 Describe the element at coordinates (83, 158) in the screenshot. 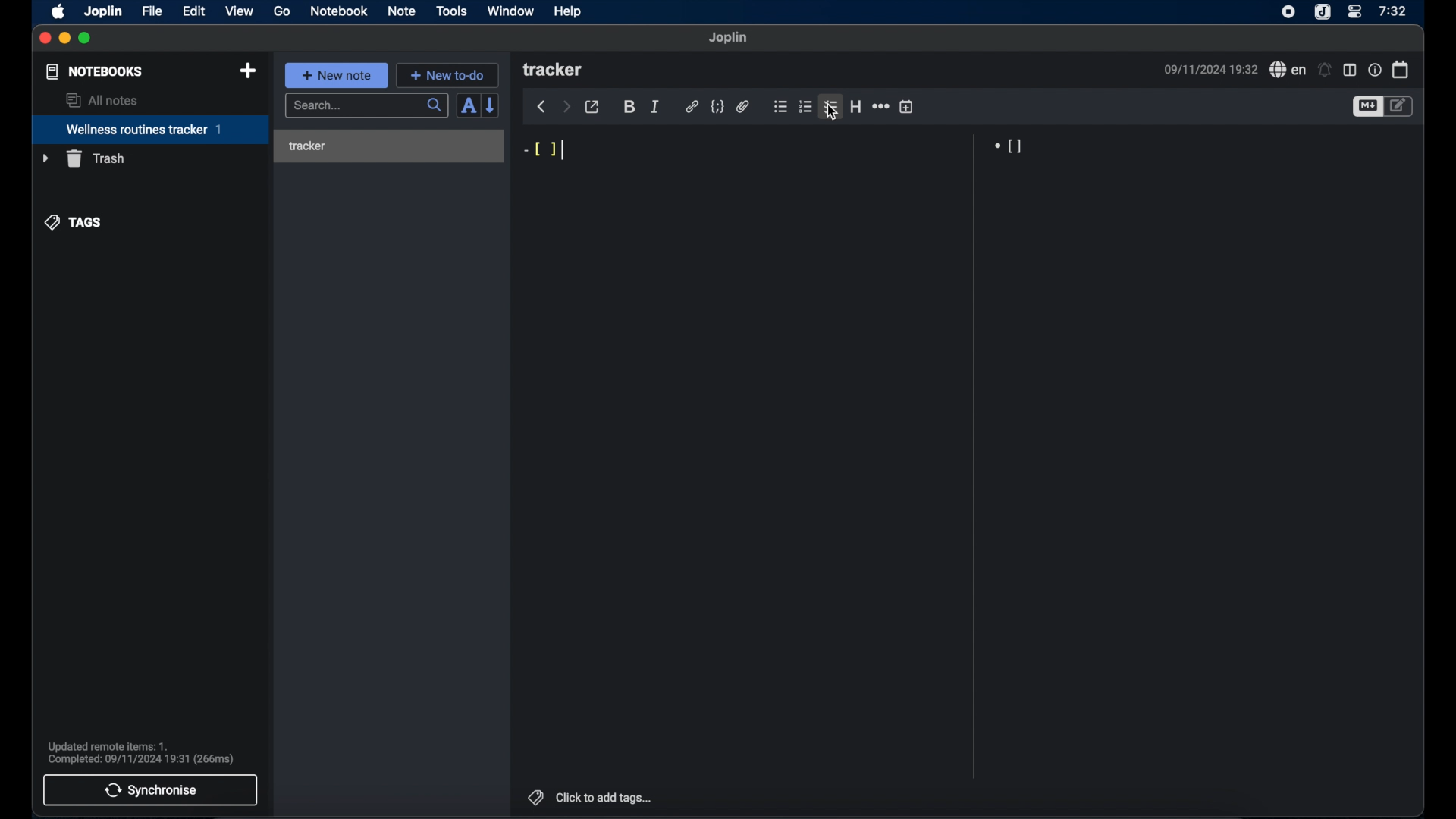

I see `trash` at that location.